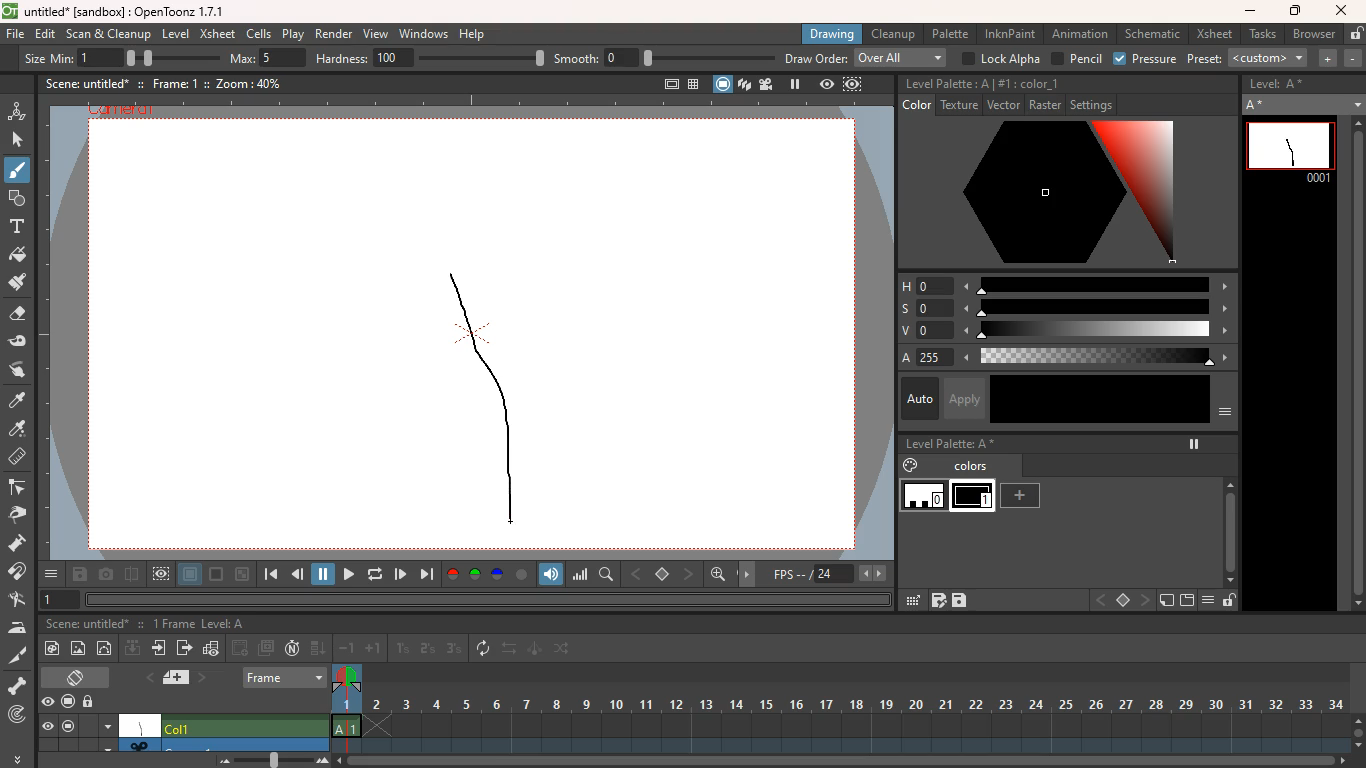  Describe the element at coordinates (217, 575) in the screenshot. I see `screen` at that location.